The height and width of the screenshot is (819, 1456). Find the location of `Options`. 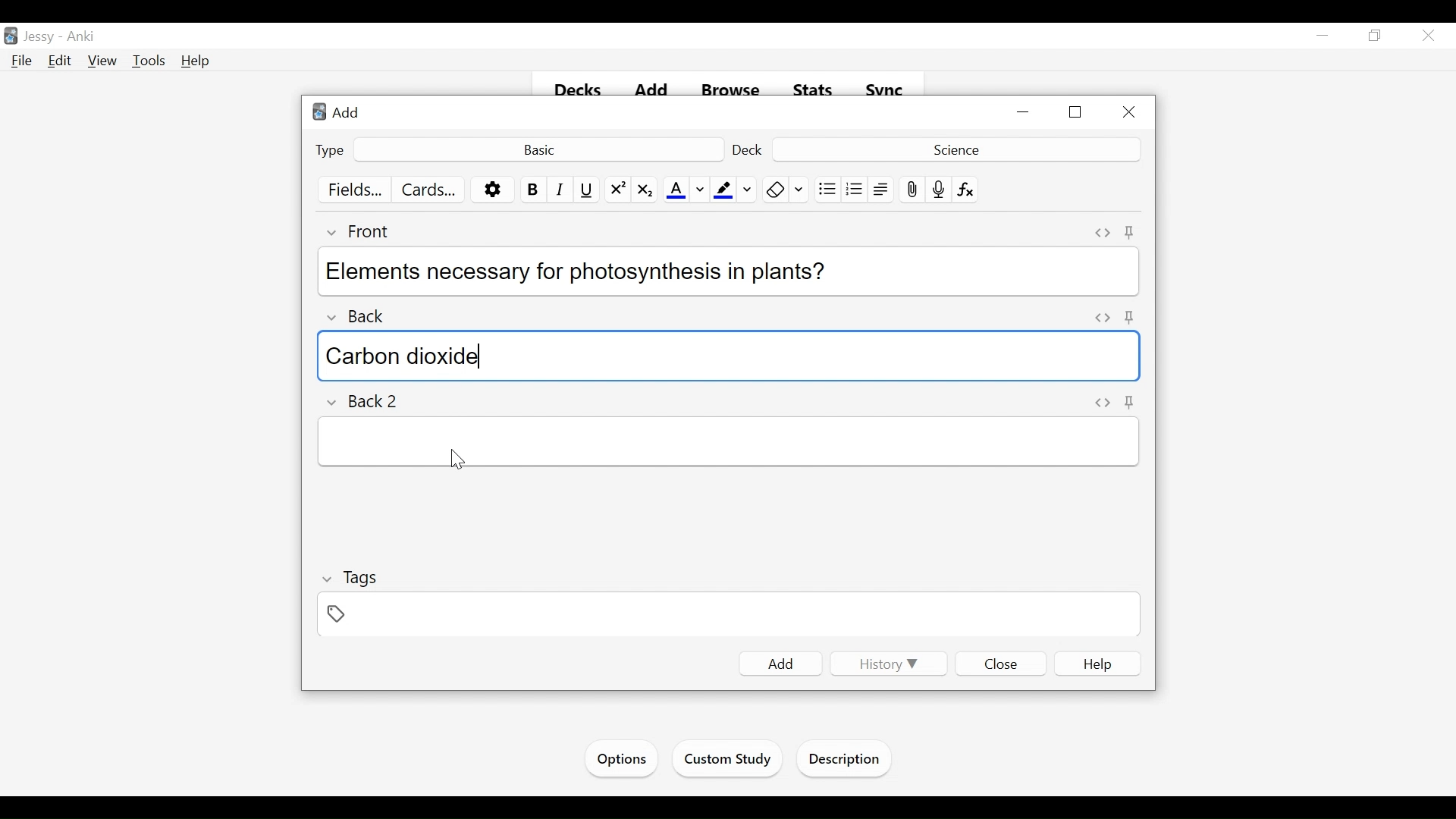

Options is located at coordinates (620, 759).